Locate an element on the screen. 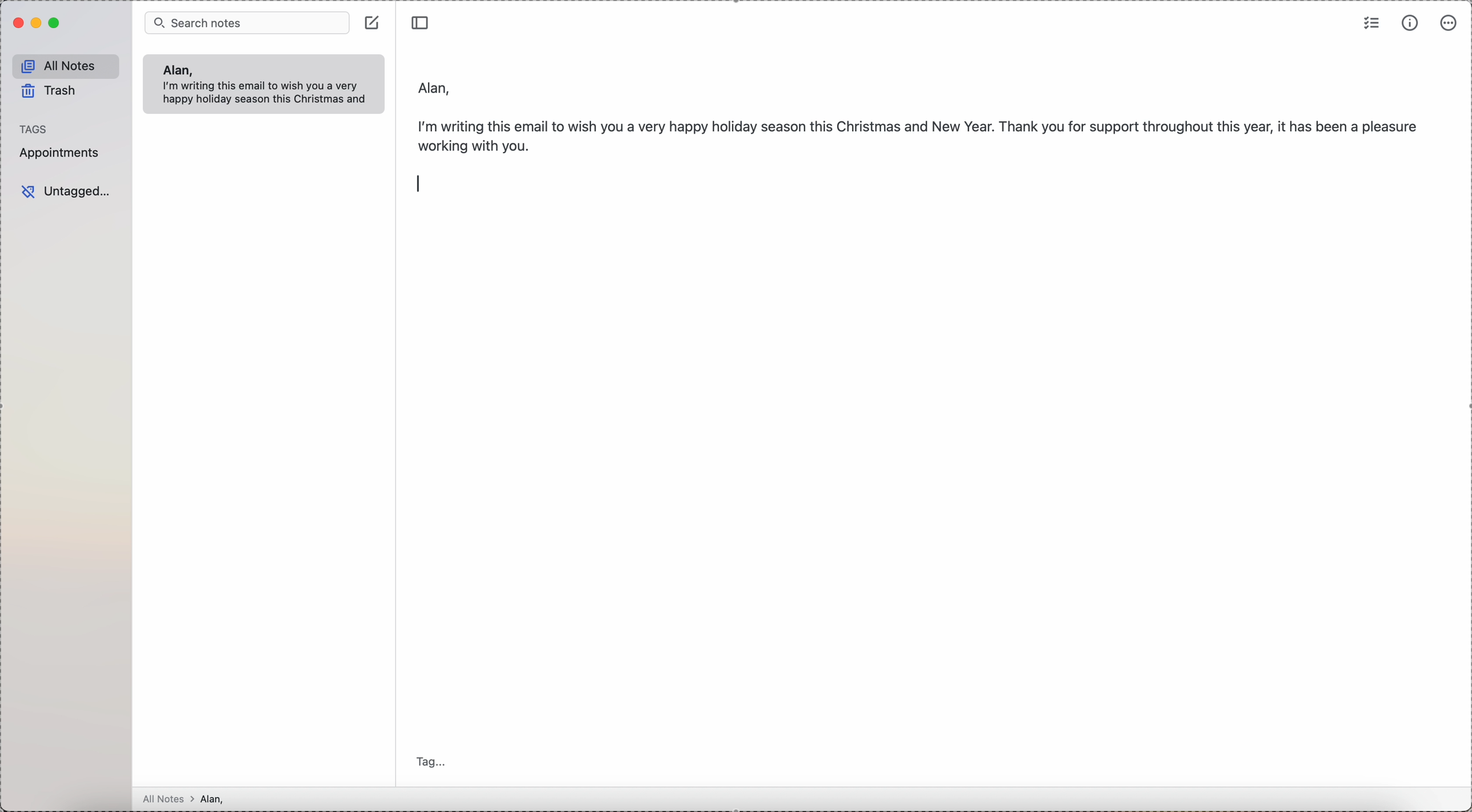 This screenshot has width=1472, height=812. create note is located at coordinates (374, 22).